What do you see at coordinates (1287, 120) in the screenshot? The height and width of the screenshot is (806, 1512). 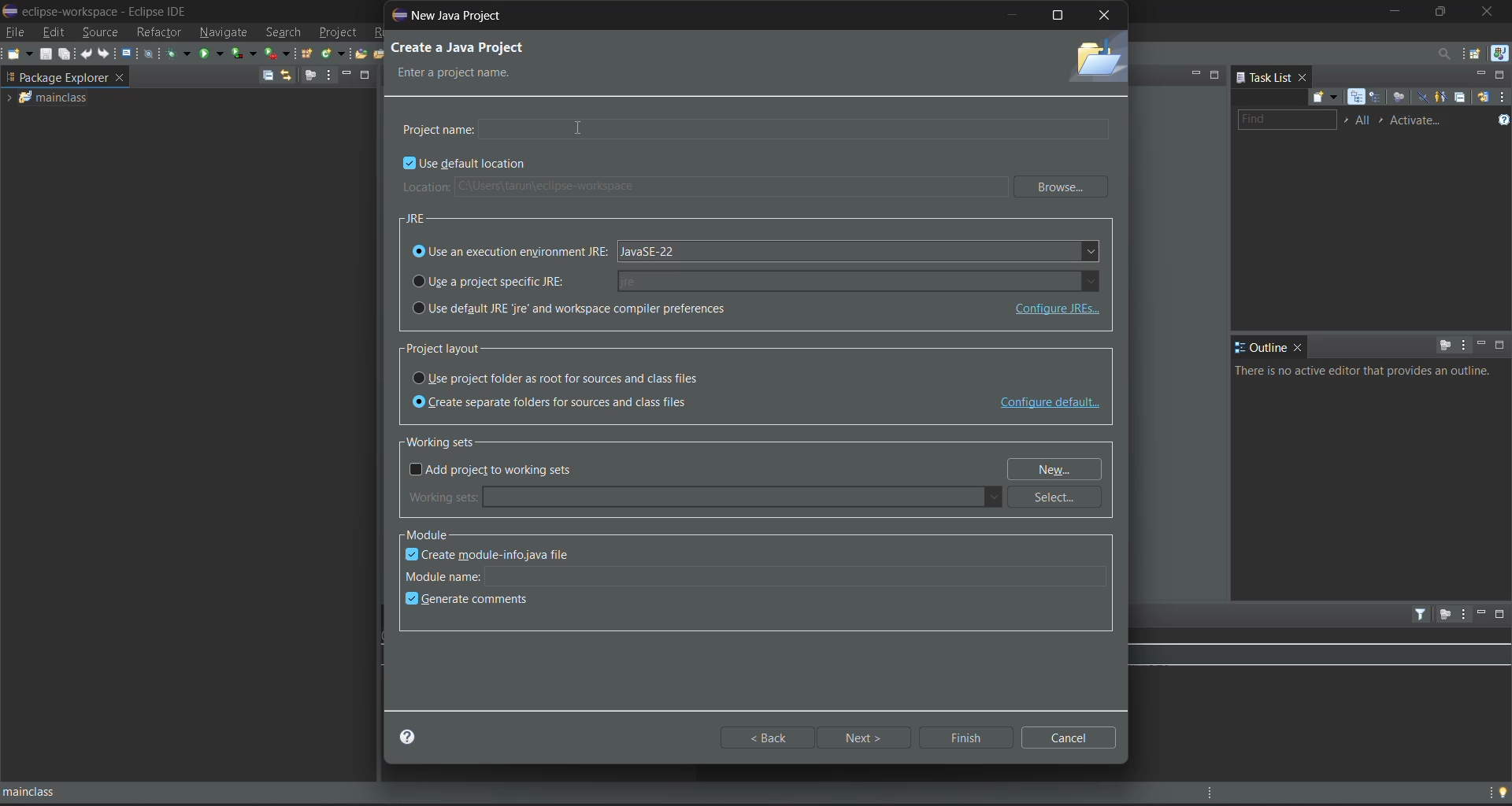 I see `find` at bounding box center [1287, 120].